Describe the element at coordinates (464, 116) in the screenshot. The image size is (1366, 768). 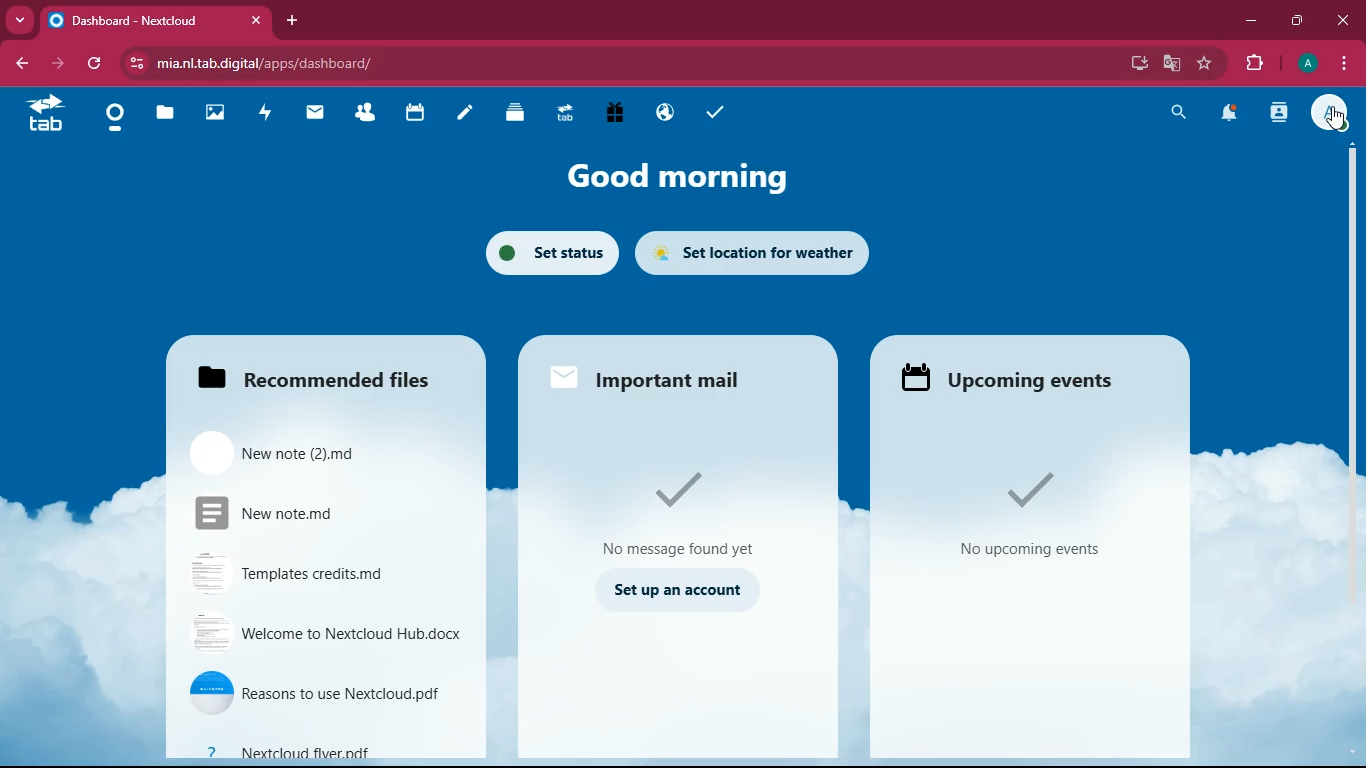
I see `notes` at that location.